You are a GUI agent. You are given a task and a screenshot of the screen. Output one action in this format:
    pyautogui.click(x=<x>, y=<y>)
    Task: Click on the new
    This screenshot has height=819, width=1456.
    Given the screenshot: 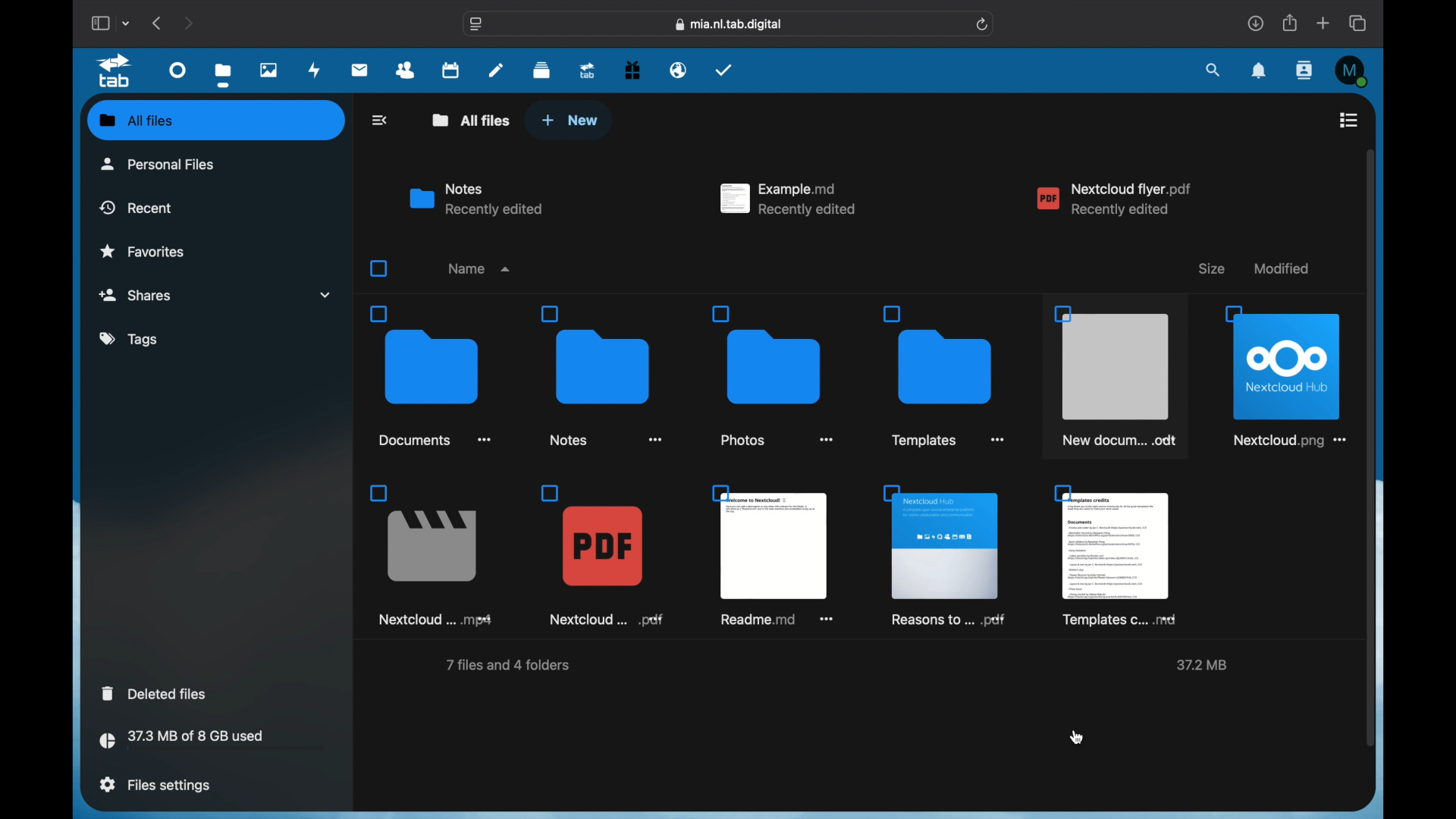 What is the action you would take?
    pyautogui.click(x=570, y=121)
    